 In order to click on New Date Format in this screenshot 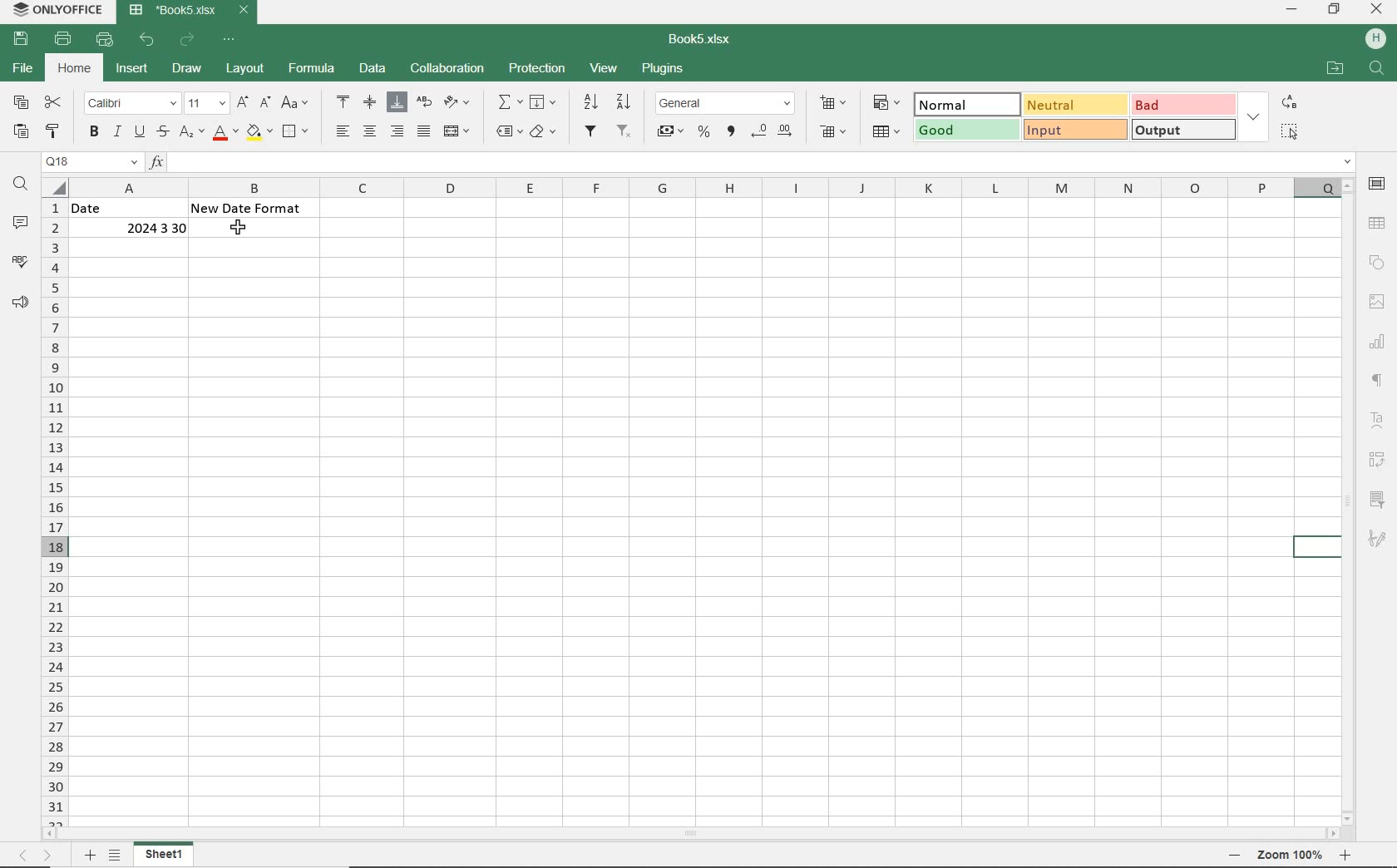, I will do `click(250, 208)`.